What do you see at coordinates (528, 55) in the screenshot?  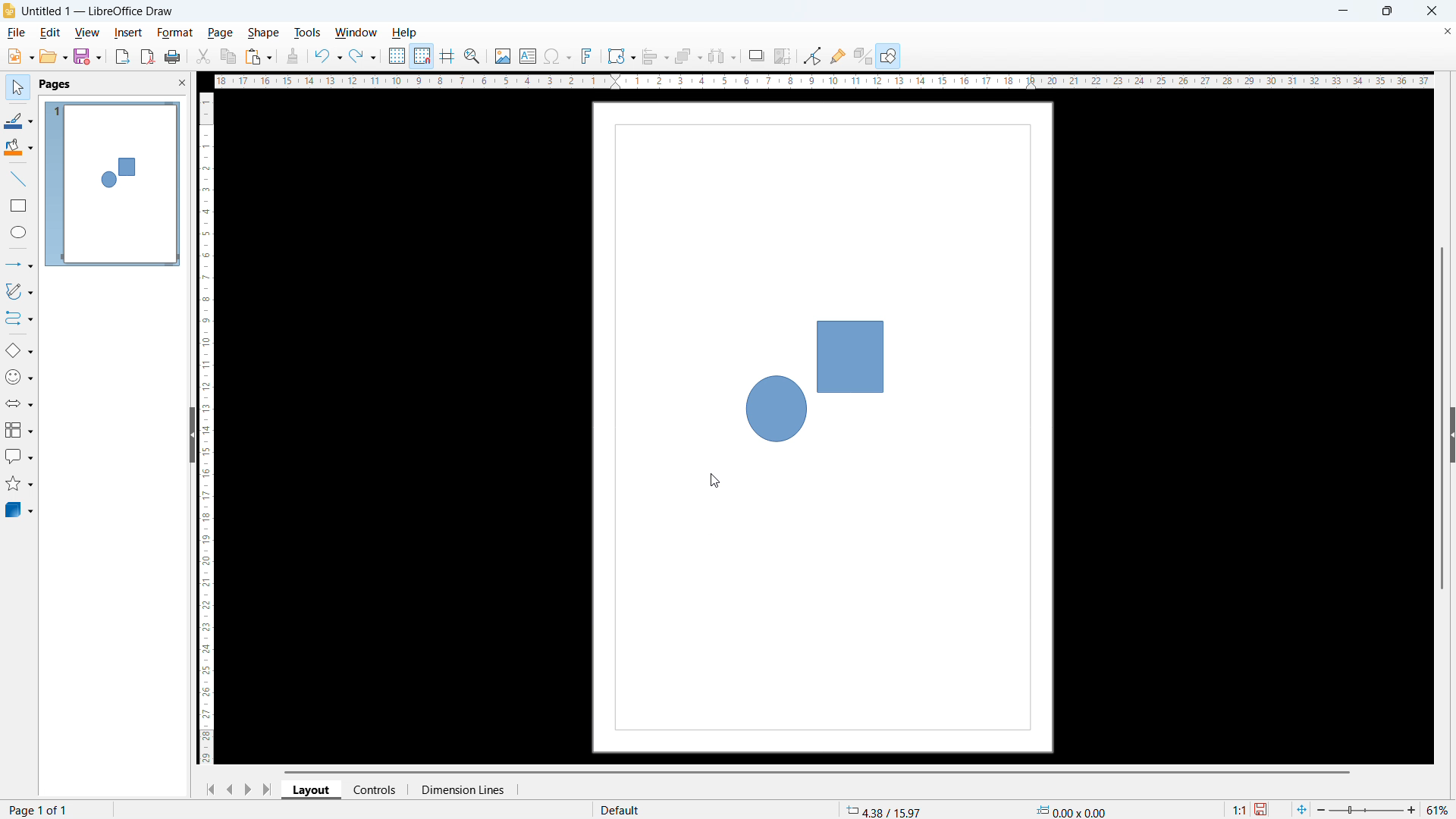 I see `insert textbox` at bounding box center [528, 55].